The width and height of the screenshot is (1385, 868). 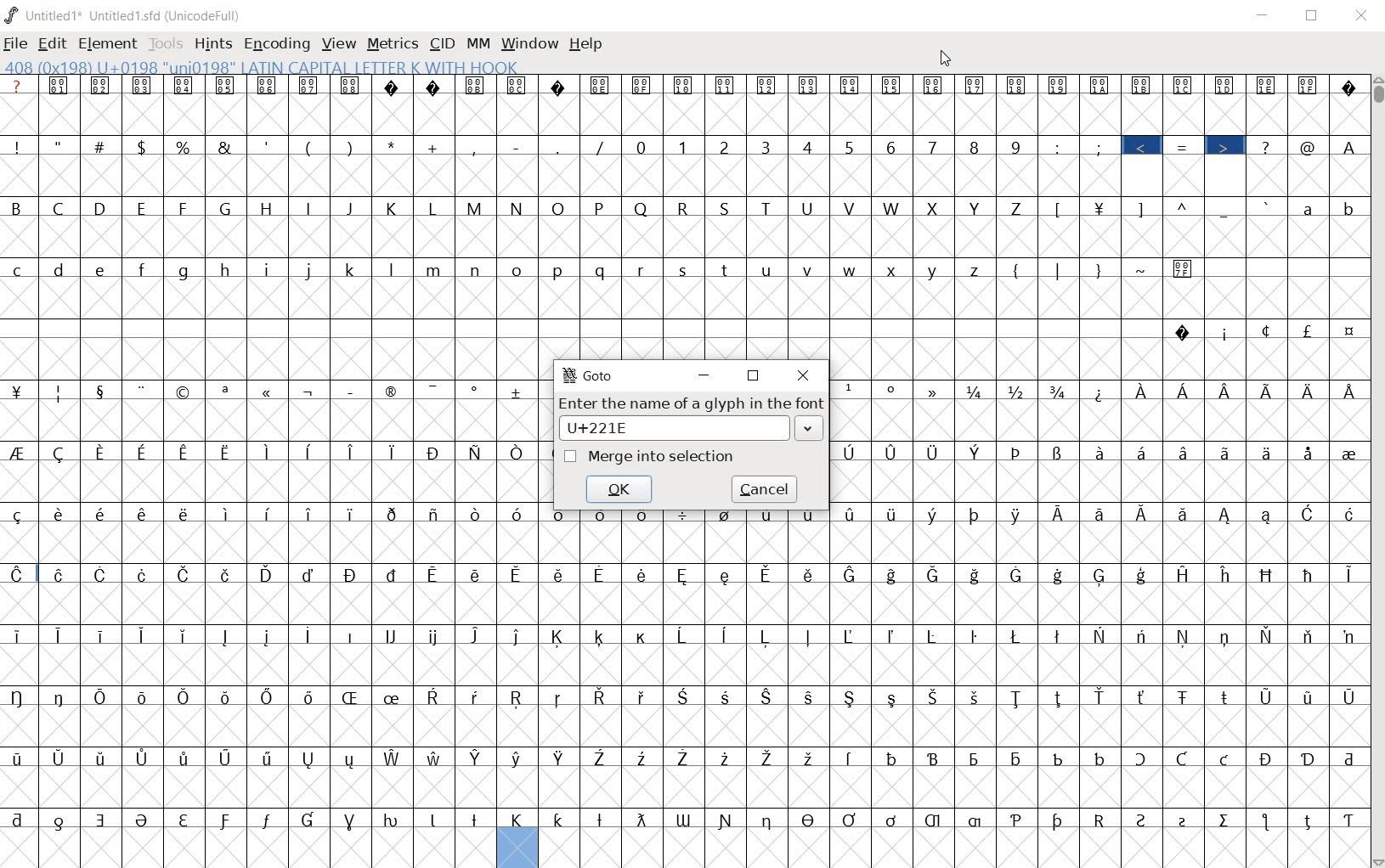 I want to click on small letters a b, so click(x=1328, y=207).